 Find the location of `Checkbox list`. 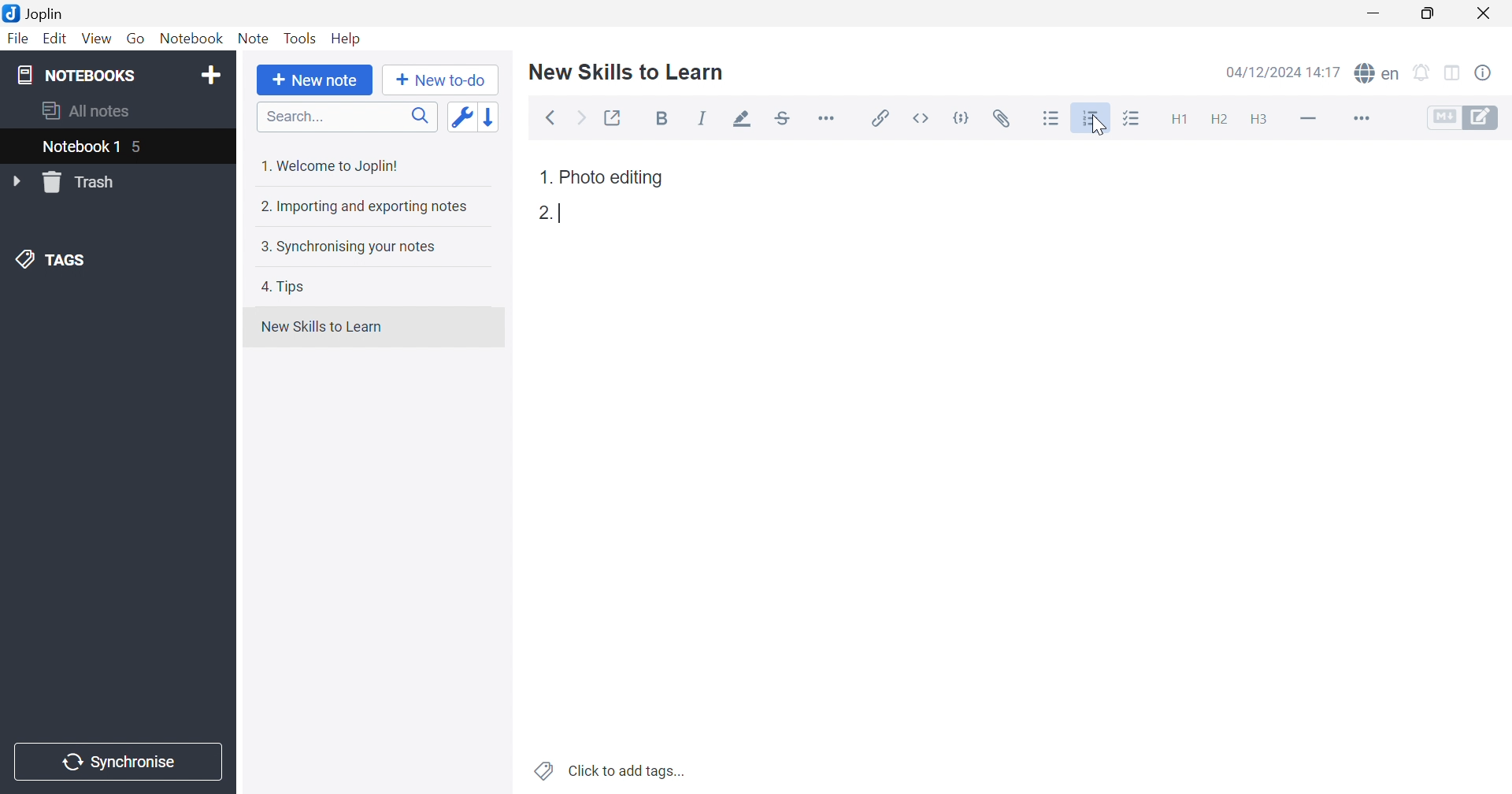

Checkbox list is located at coordinates (1130, 120).